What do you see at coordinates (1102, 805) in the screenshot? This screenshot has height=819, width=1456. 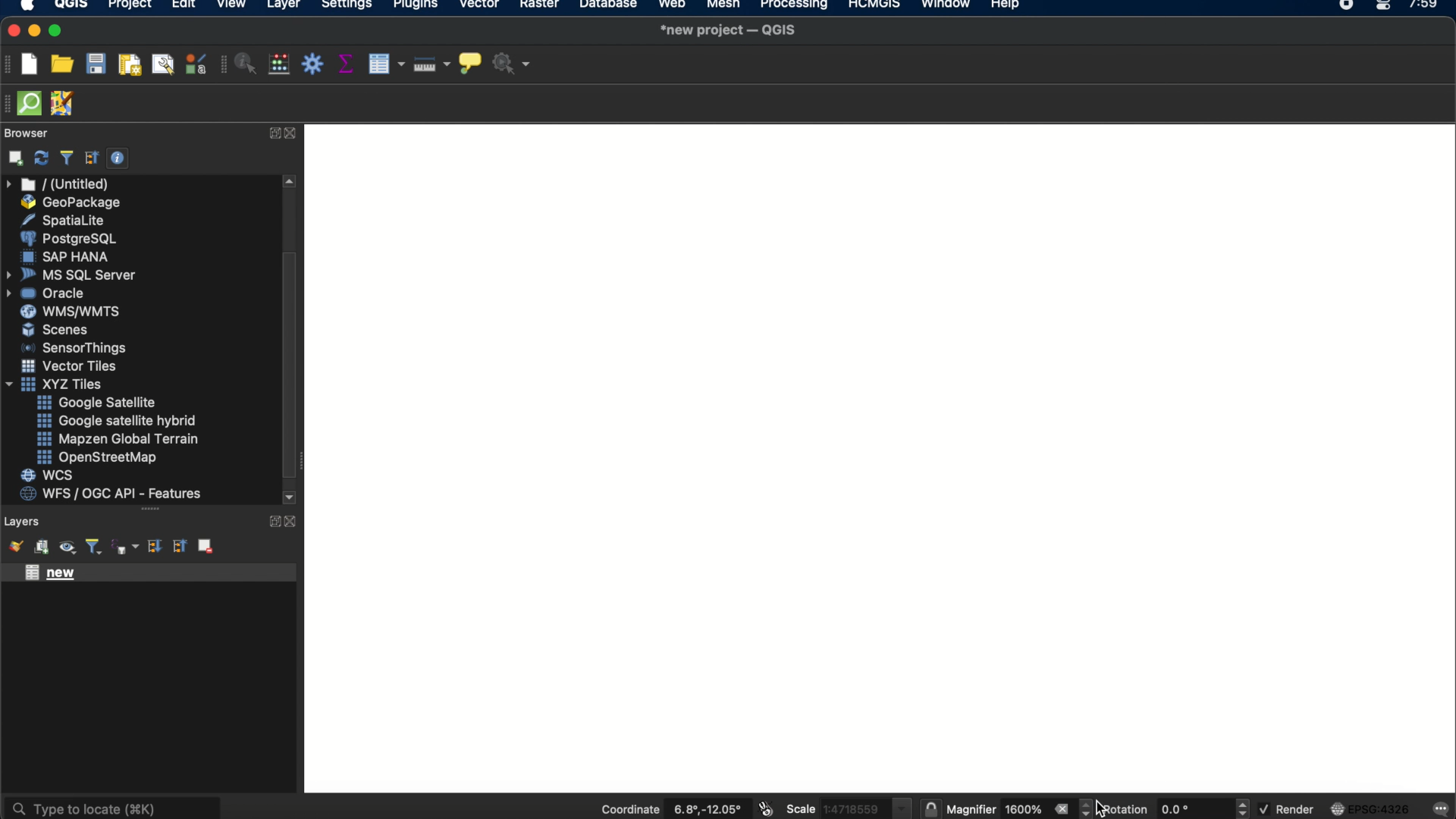 I see `cursor` at bounding box center [1102, 805].